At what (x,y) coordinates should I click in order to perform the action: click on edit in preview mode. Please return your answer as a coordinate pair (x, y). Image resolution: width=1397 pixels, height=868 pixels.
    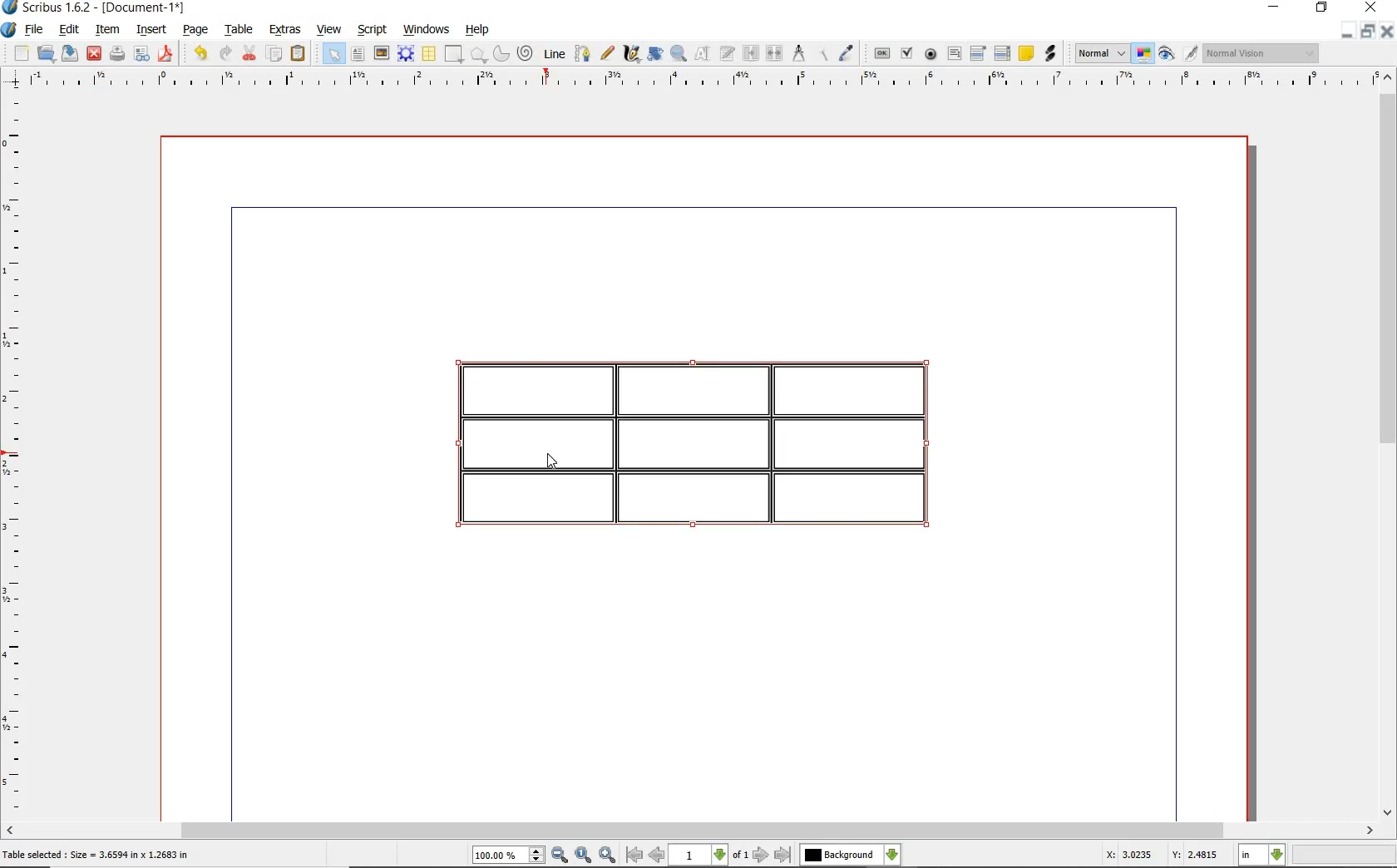
    Looking at the image, I should click on (1190, 54).